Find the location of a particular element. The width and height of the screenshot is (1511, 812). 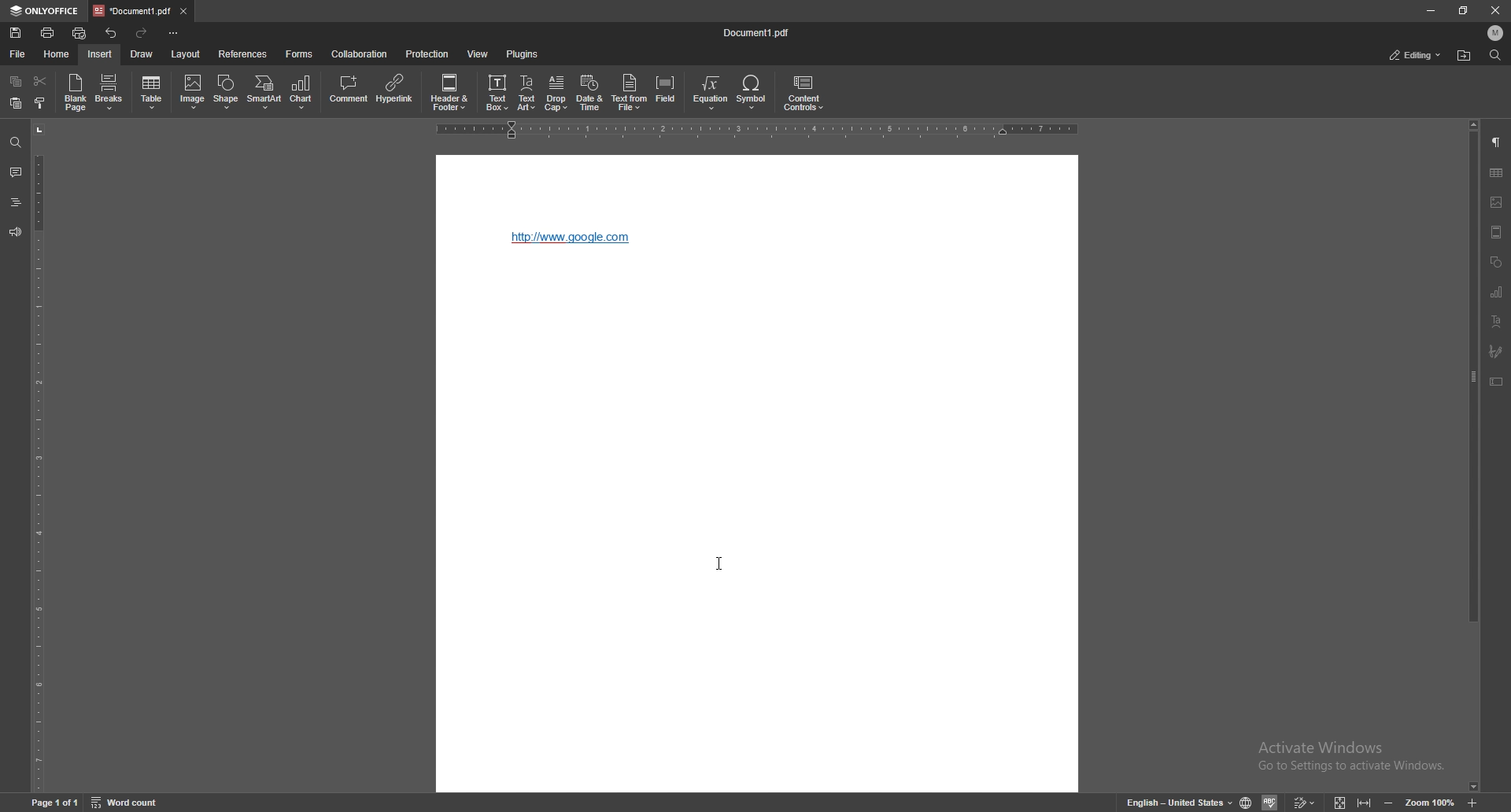

spell check is located at coordinates (1272, 802).